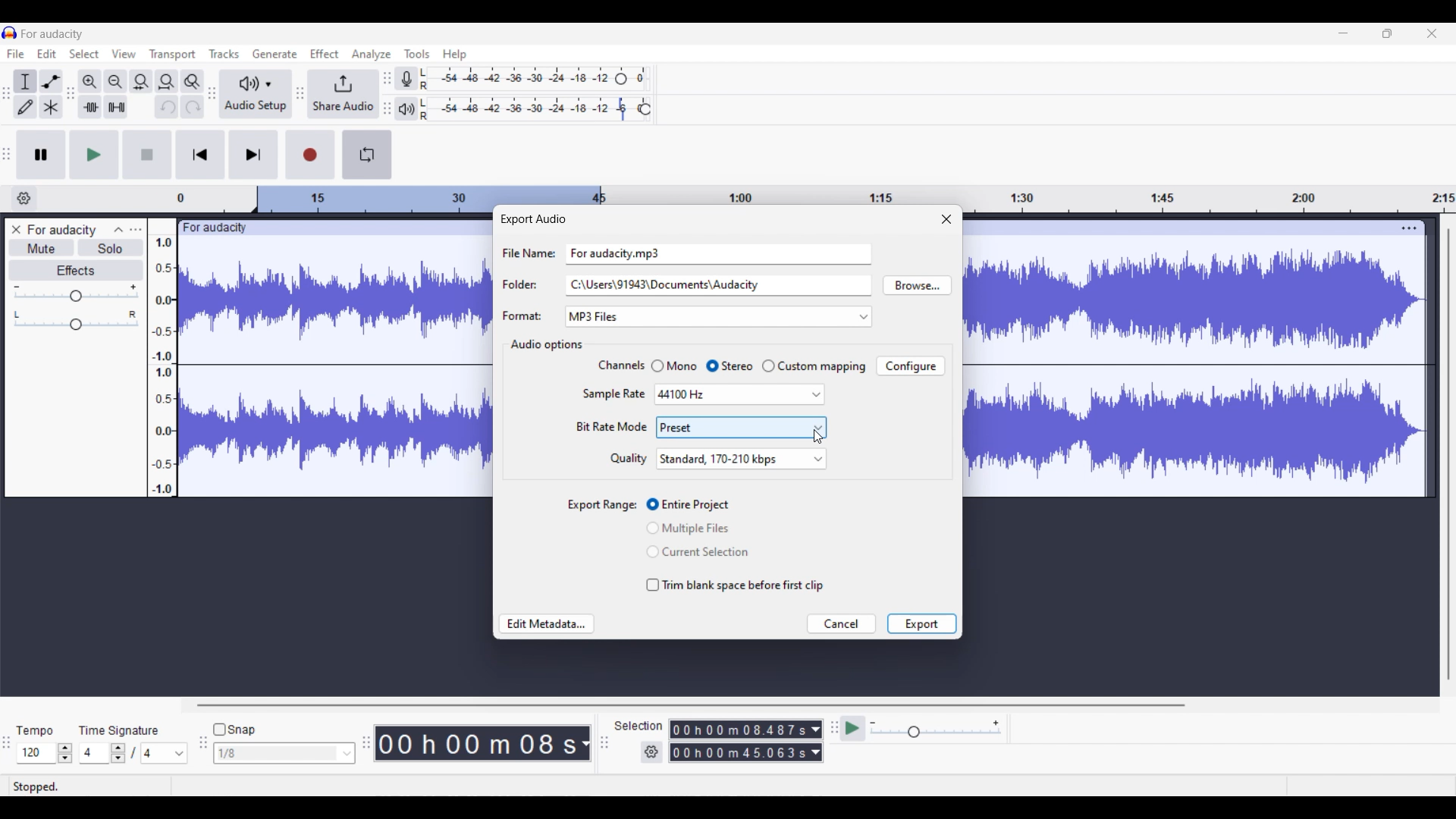  What do you see at coordinates (595, 317) in the screenshot?
I see `Format changed to selection` at bounding box center [595, 317].